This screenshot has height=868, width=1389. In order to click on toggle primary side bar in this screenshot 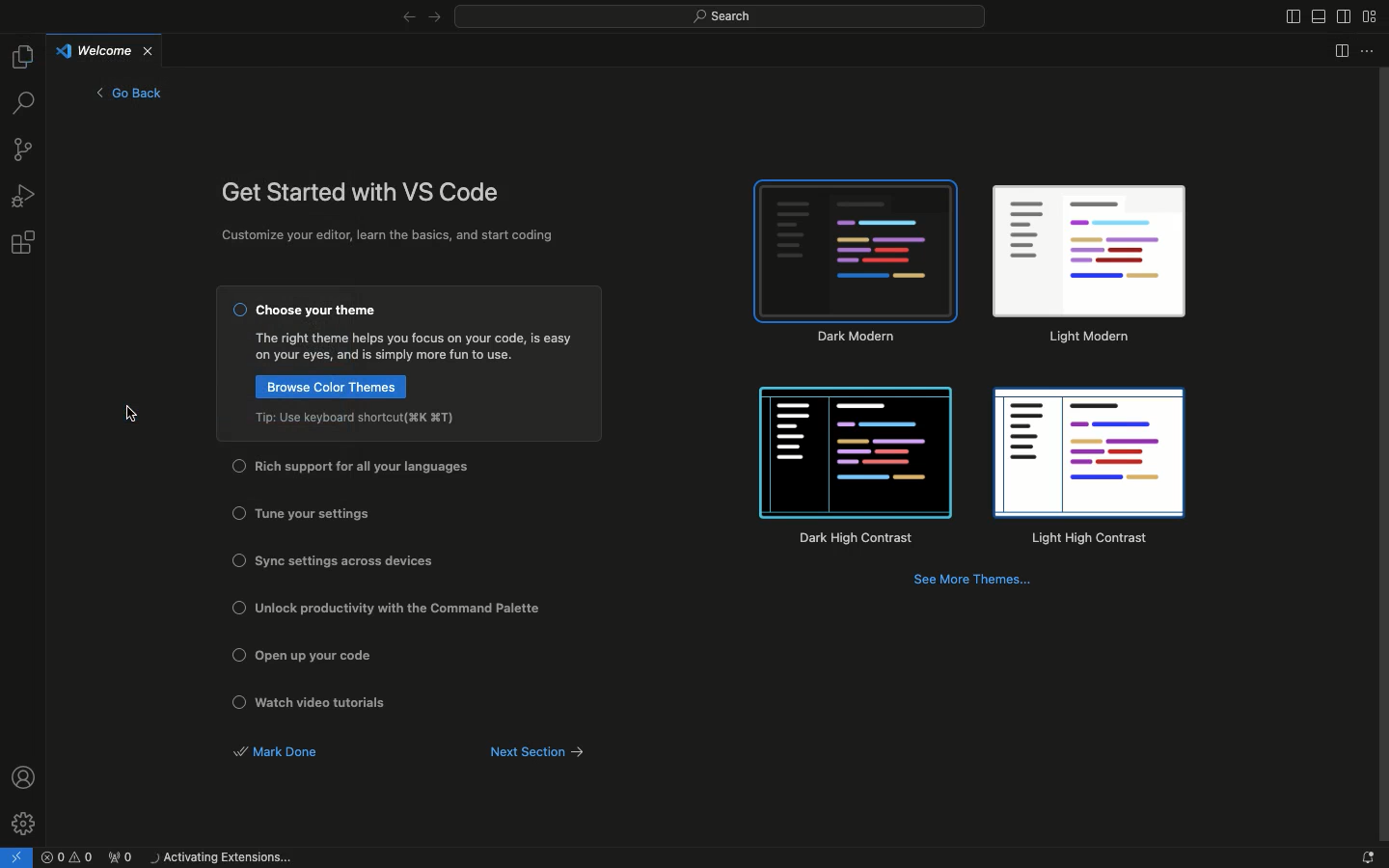, I will do `click(1289, 17)`.